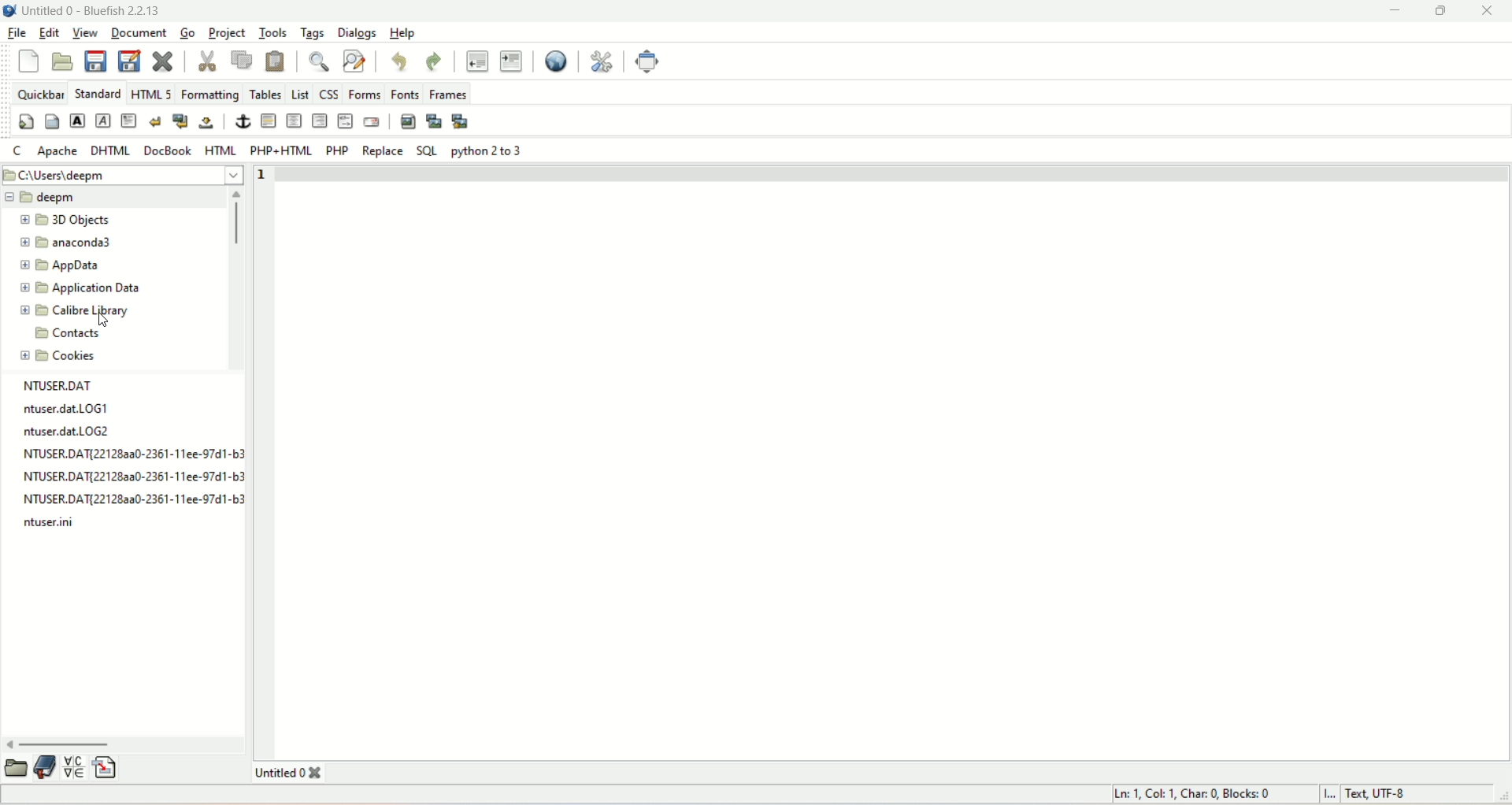 The image size is (1512, 805). What do you see at coordinates (93, 13) in the screenshot?
I see `title` at bounding box center [93, 13].